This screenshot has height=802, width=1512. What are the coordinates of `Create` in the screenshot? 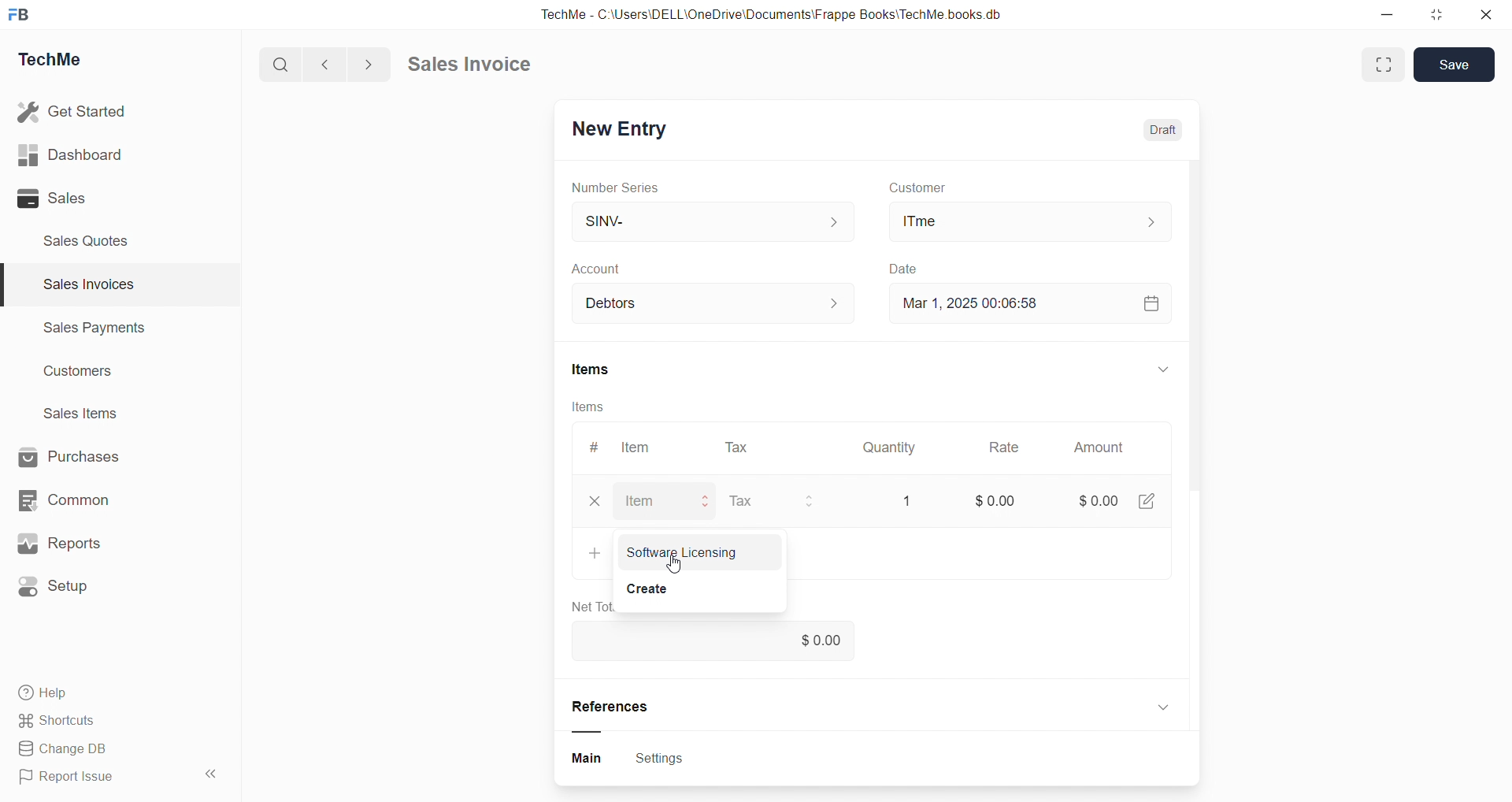 It's located at (662, 588).